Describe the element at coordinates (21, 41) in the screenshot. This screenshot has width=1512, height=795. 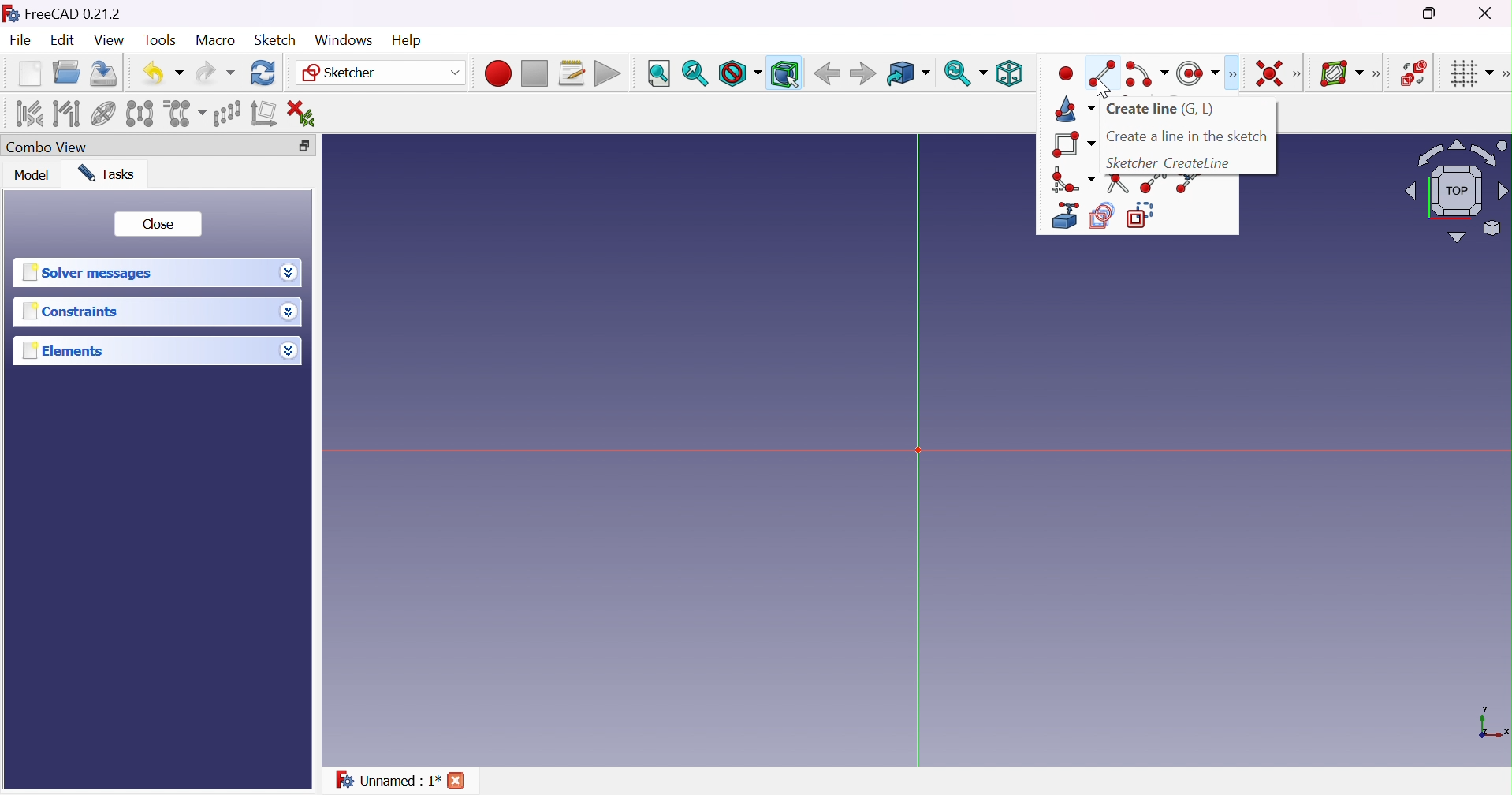
I see `File` at that location.